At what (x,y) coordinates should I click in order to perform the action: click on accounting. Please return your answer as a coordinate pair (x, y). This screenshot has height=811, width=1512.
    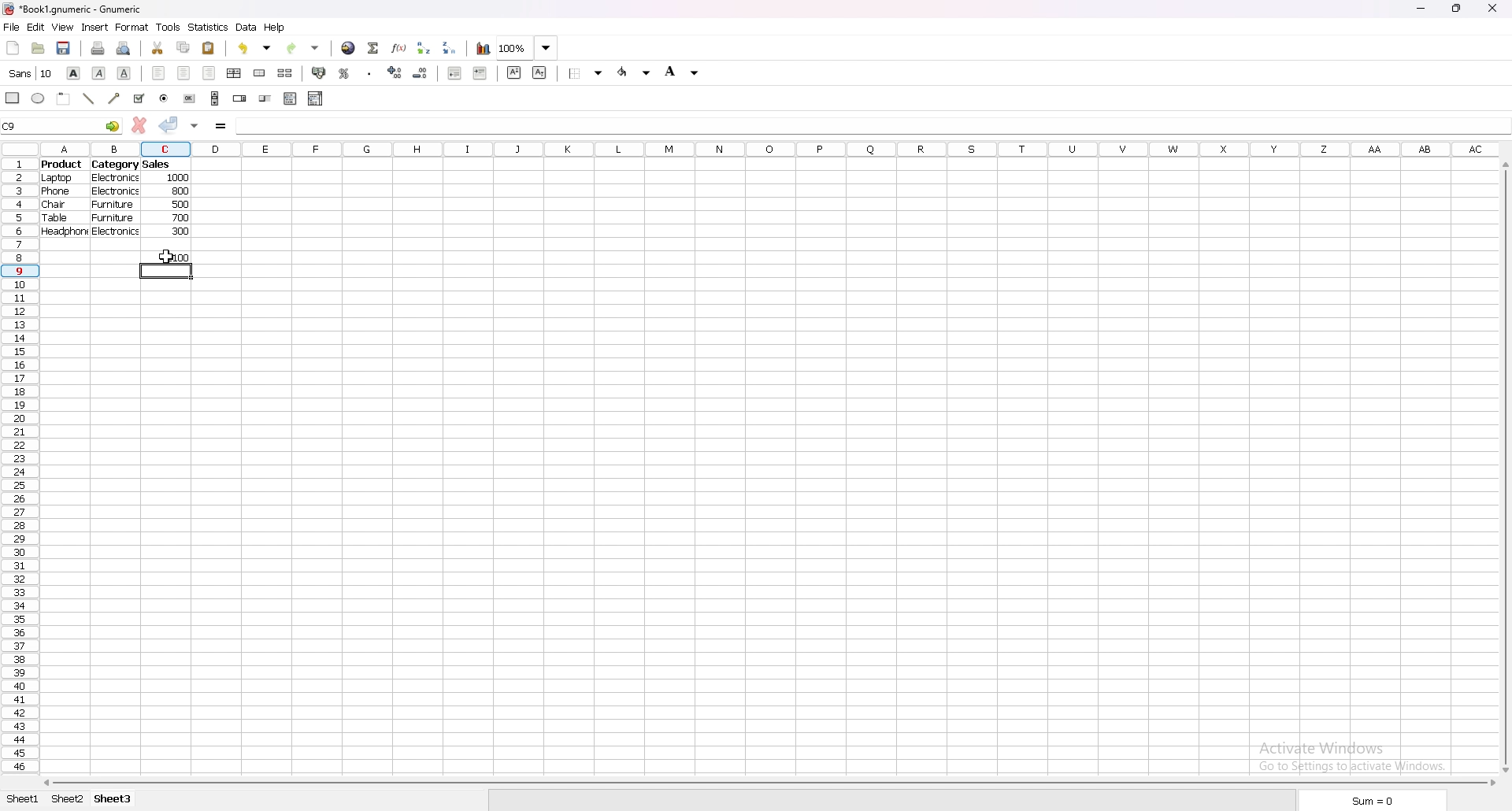
    Looking at the image, I should click on (320, 72).